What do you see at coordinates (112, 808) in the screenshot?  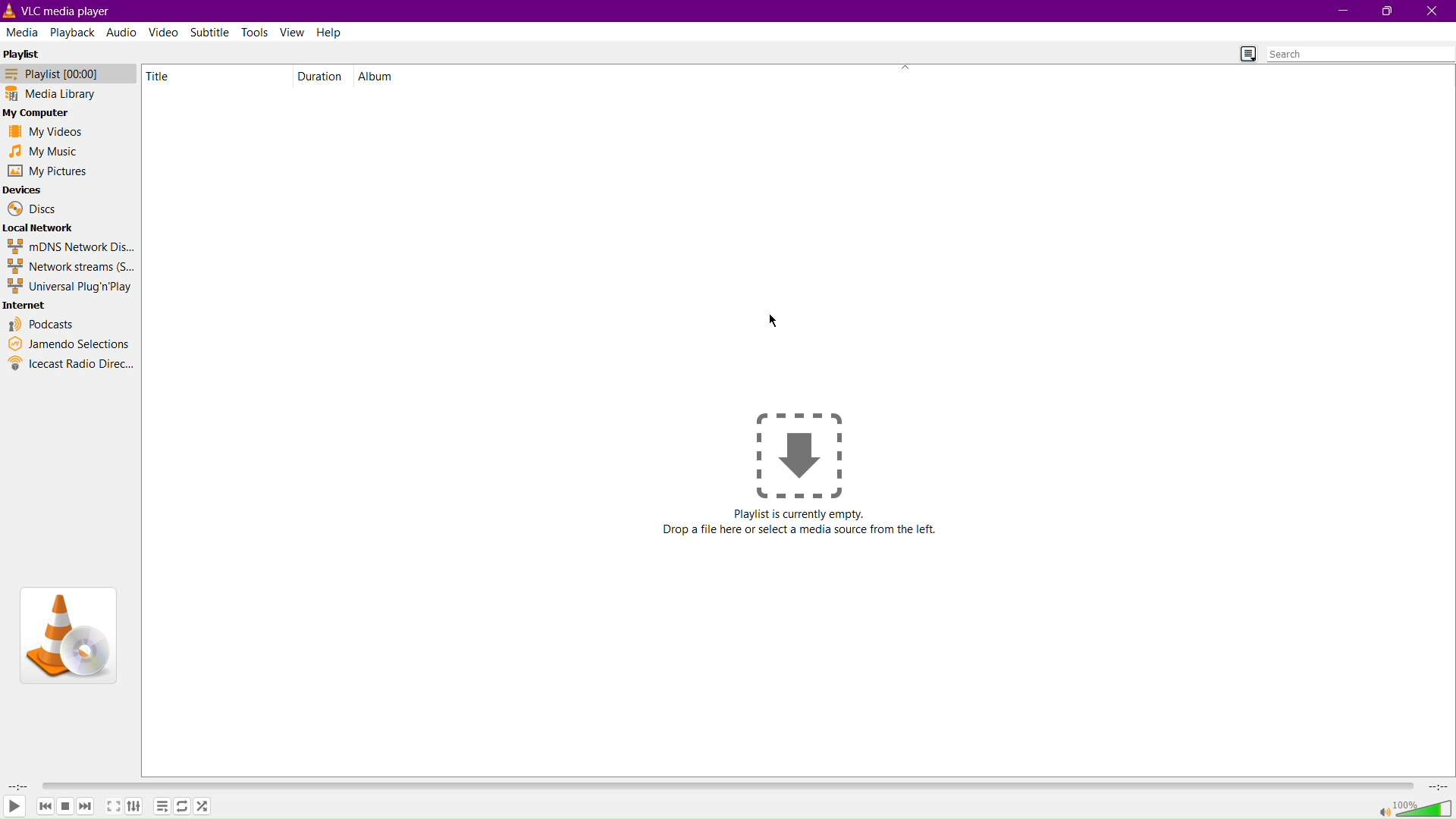 I see `Fullscreen` at bounding box center [112, 808].